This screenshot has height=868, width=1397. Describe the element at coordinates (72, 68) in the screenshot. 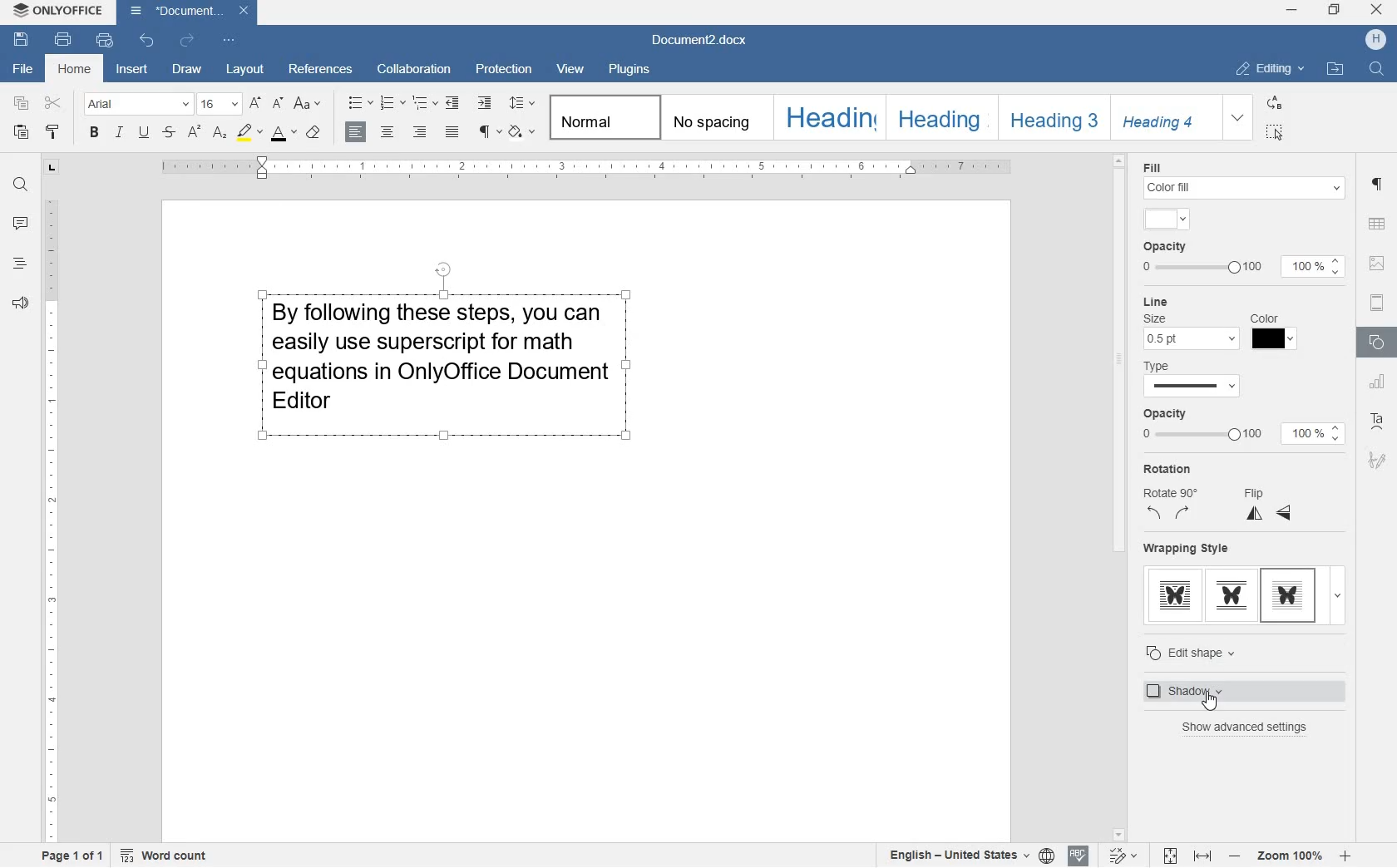

I see `home` at that location.